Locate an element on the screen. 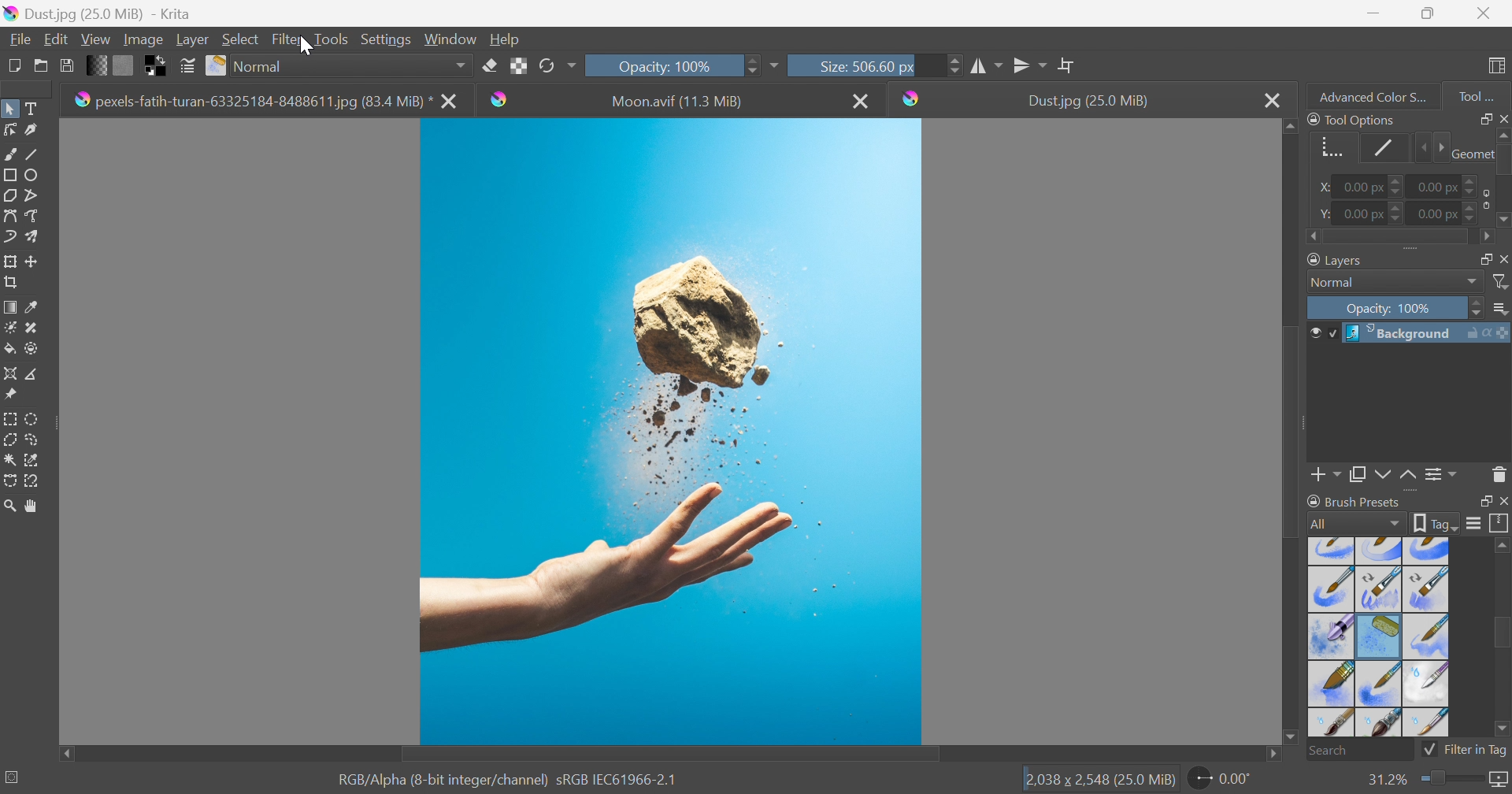 The width and height of the screenshot is (1512, 794). Fill a contiguous area of color with a color or a fill selection is located at coordinates (10, 350).